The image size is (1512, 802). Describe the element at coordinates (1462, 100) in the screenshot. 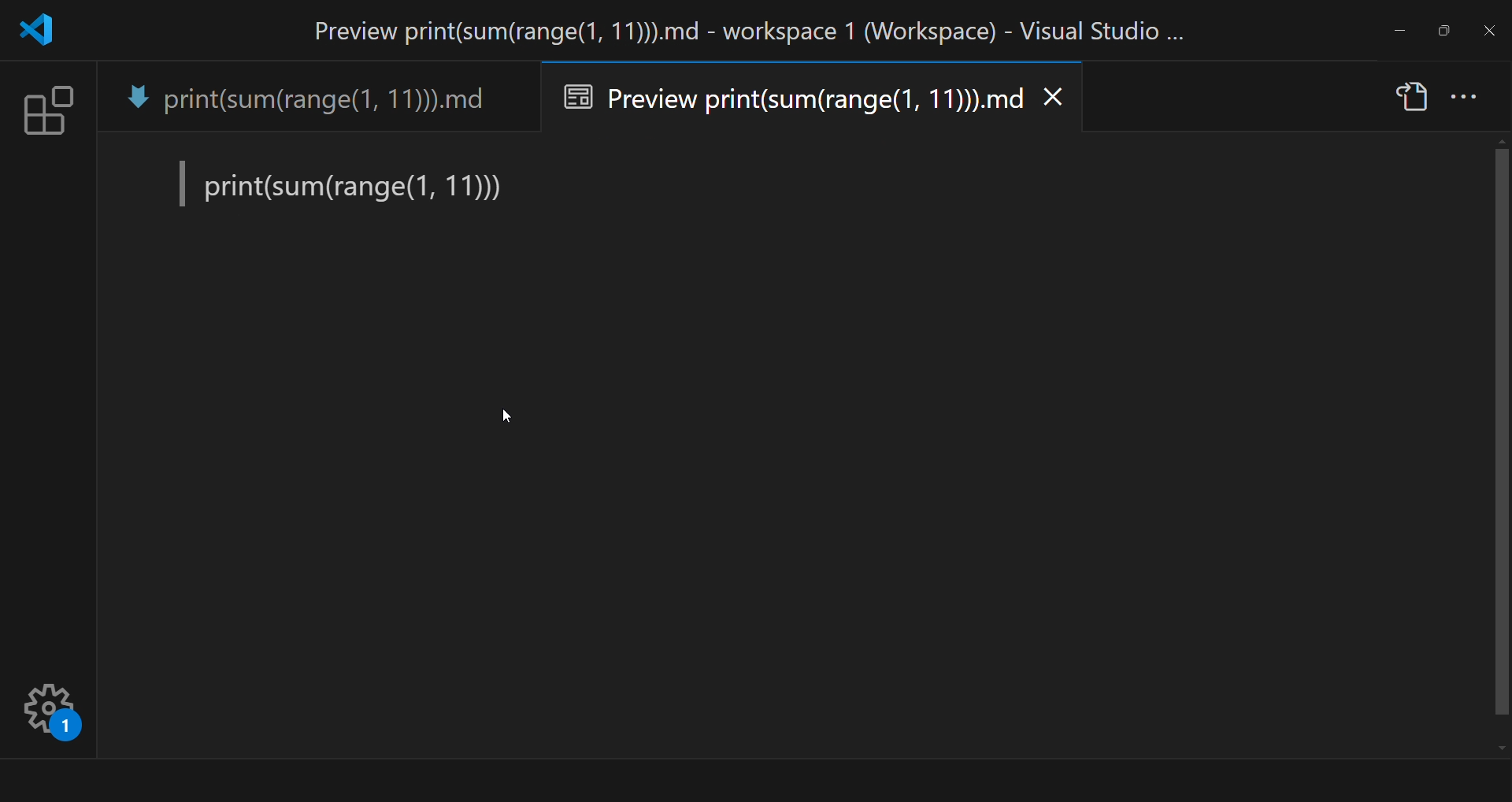

I see `more` at that location.